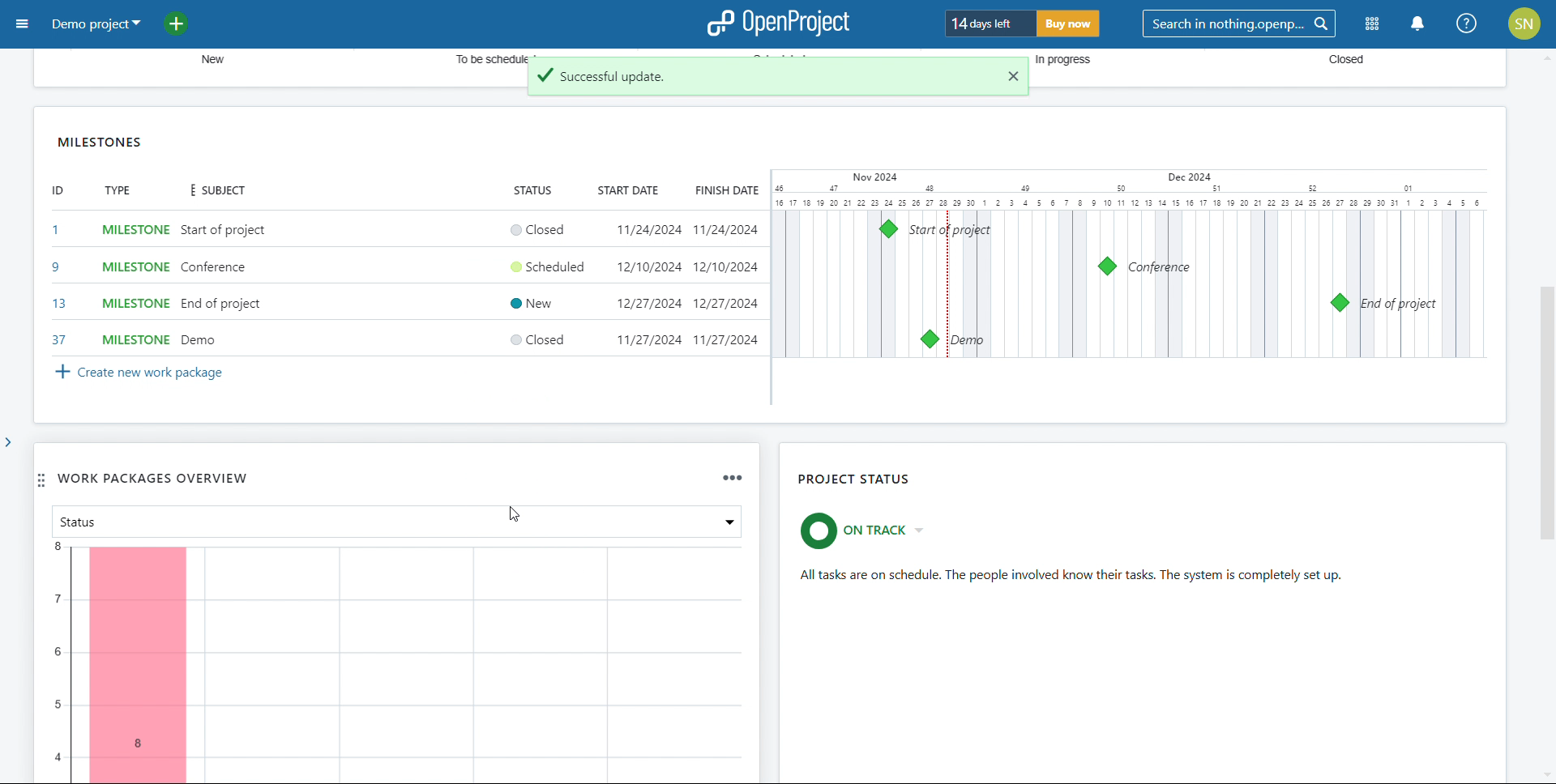  I want to click on set id, so click(58, 284).